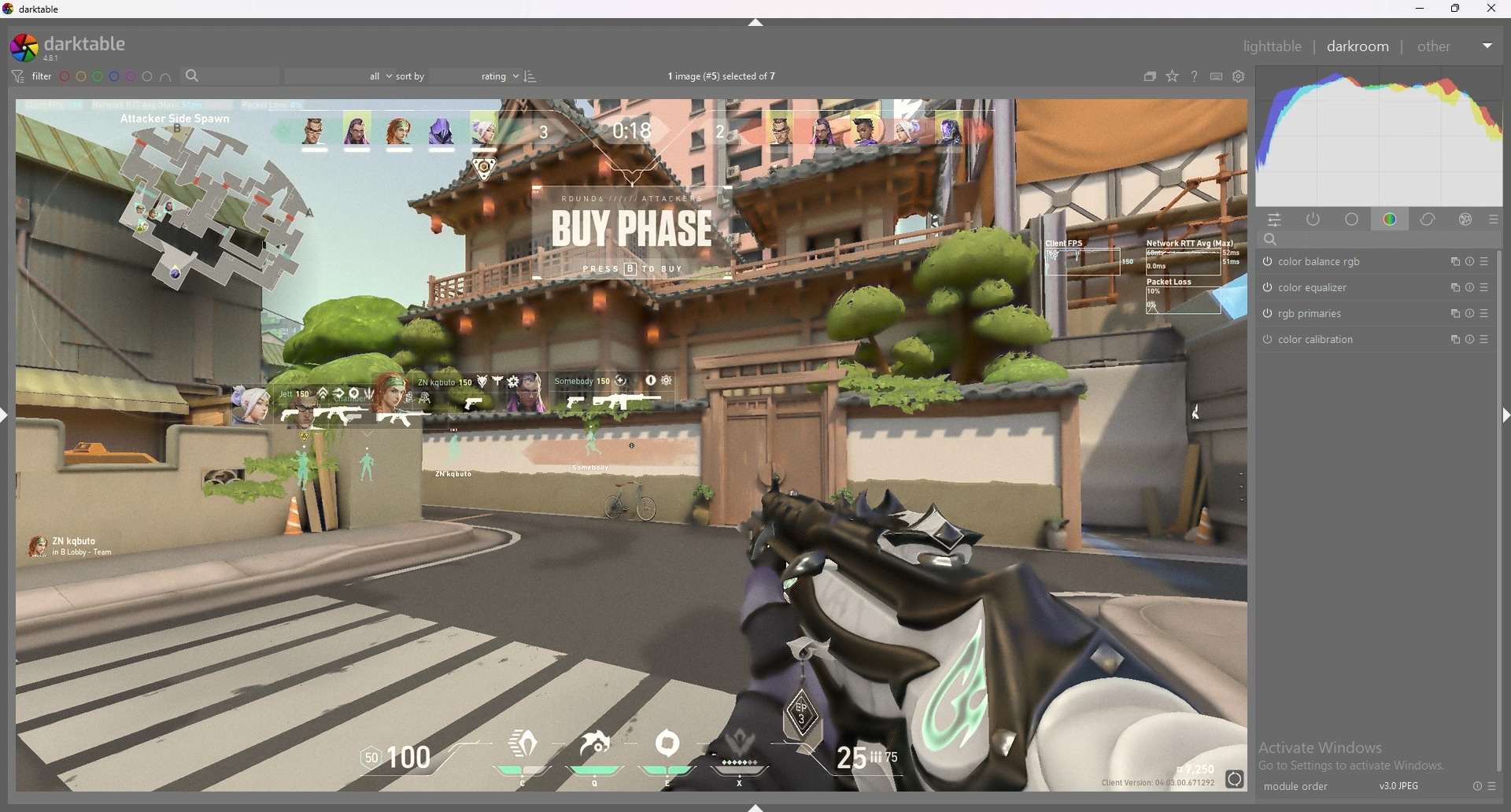 This screenshot has height=812, width=1511. What do you see at coordinates (1323, 287) in the screenshot?
I see `color equalizer` at bounding box center [1323, 287].